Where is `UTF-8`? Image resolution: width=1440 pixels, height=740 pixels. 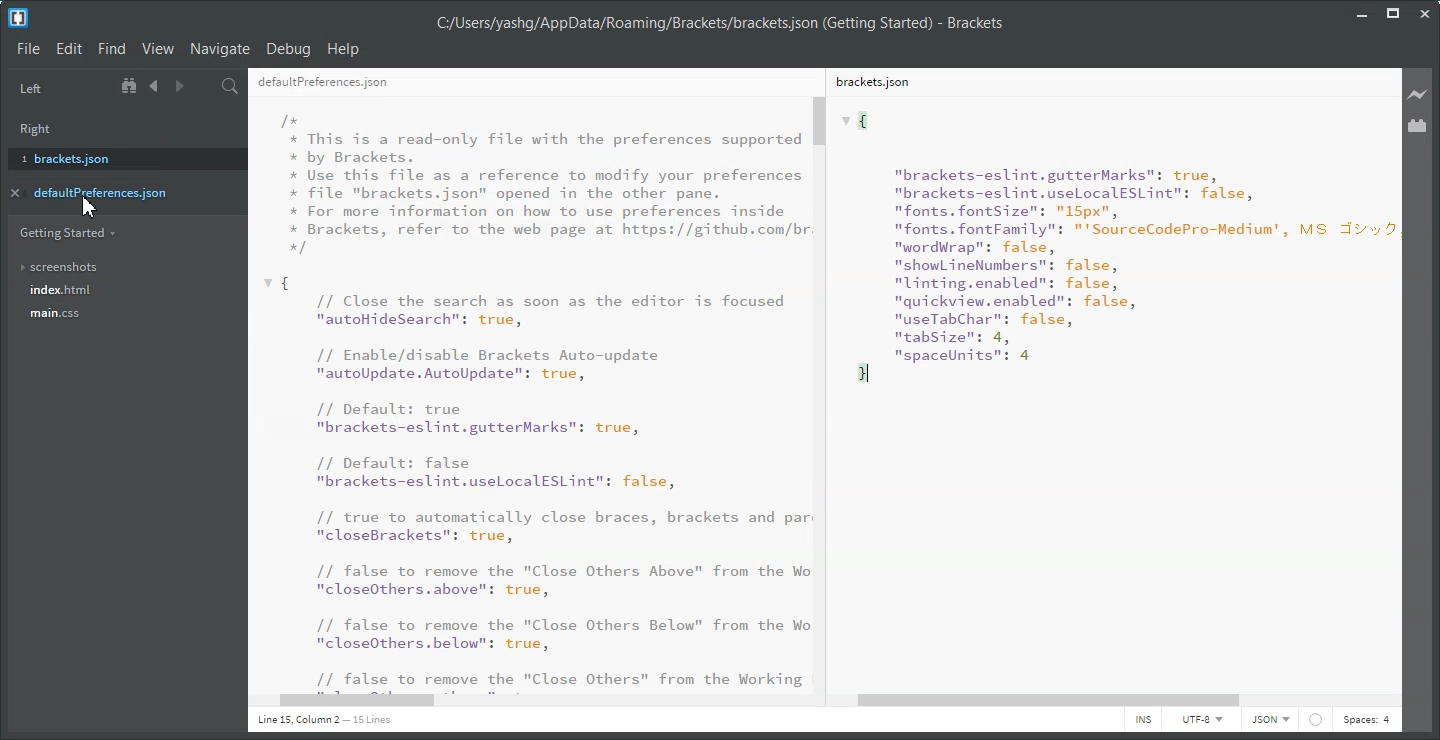
UTF-8 is located at coordinates (1201, 721).